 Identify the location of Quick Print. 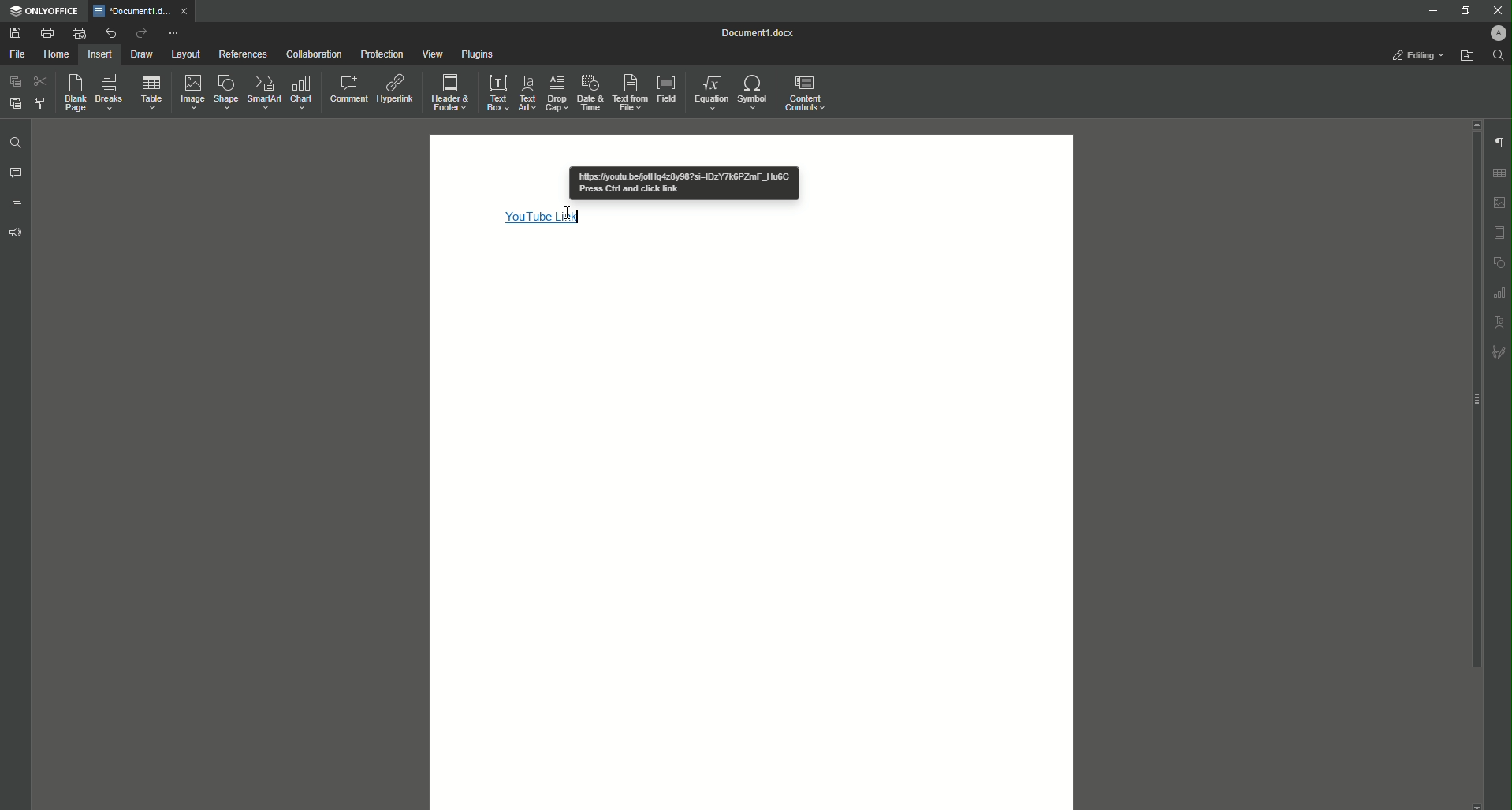
(79, 32).